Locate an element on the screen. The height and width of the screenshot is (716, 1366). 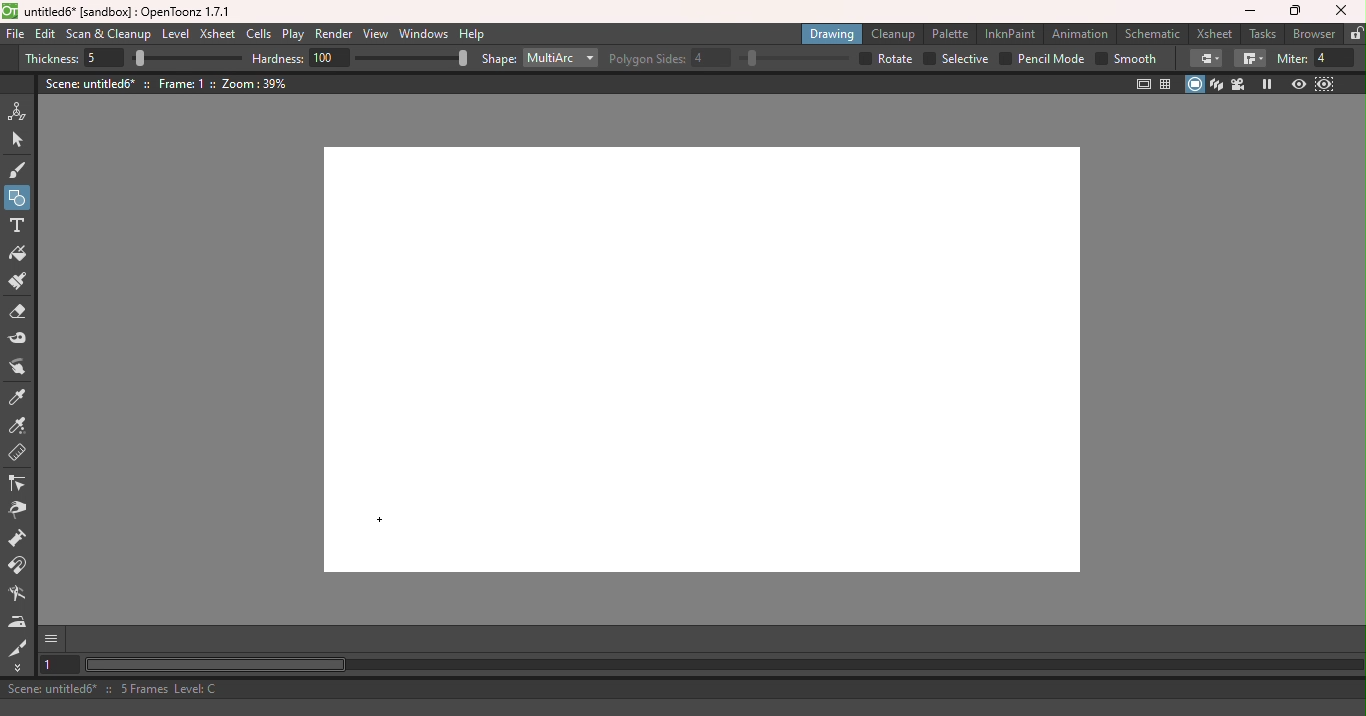
Close is located at coordinates (1344, 11).